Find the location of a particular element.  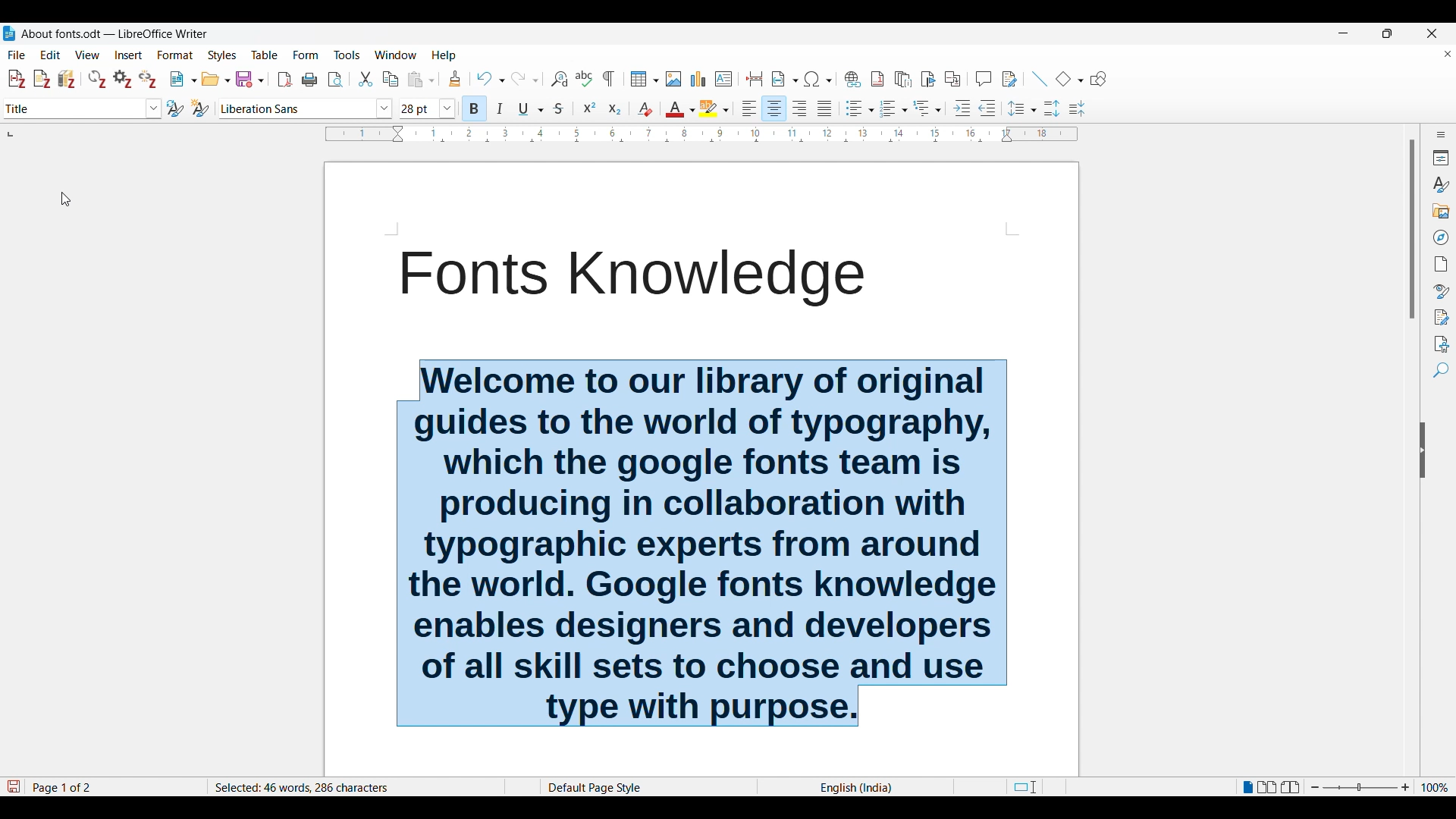

Italics is located at coordinates (499, 108).